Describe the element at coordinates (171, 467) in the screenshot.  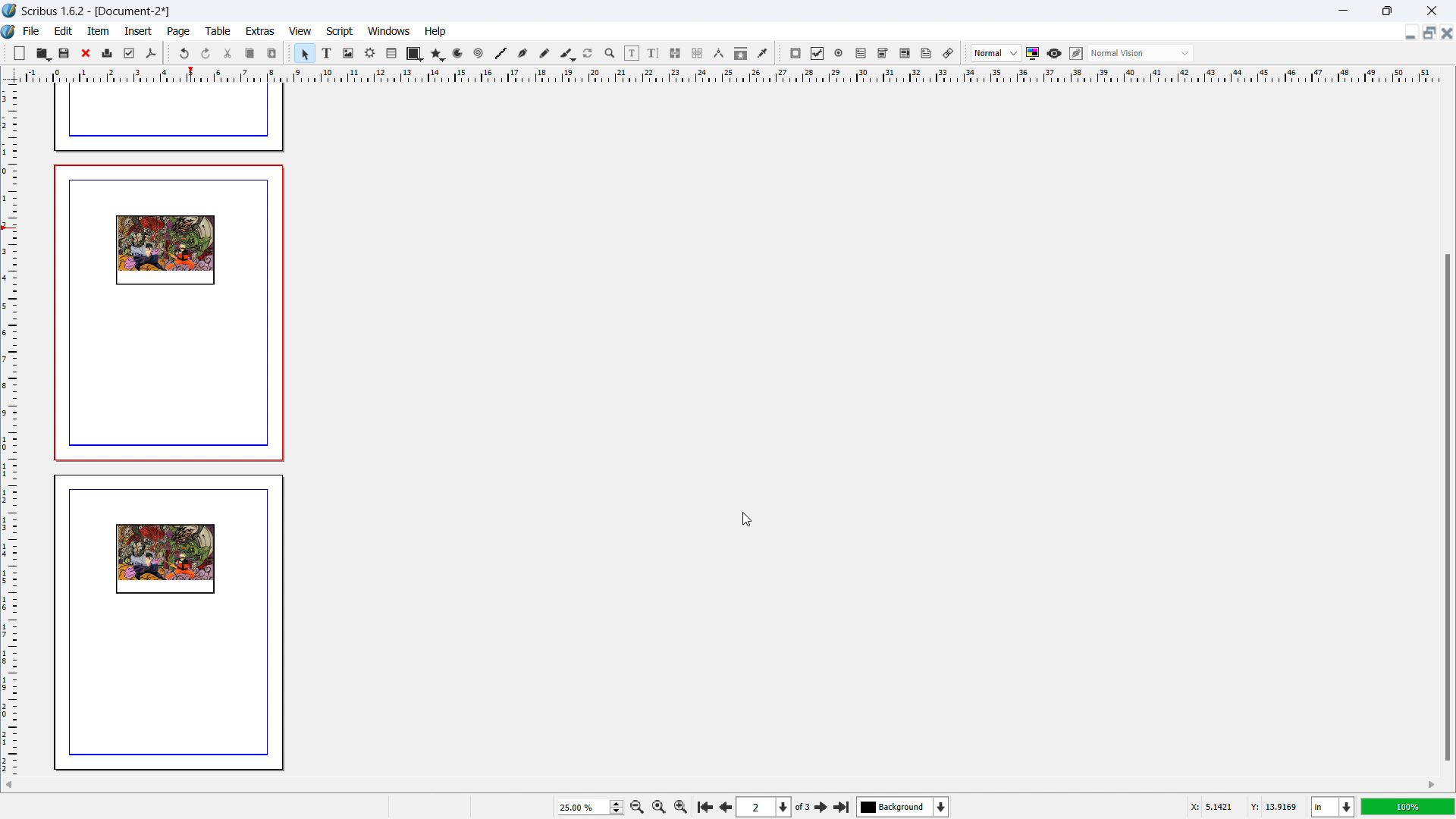
I see `page style has been applied to all pages` at that location.